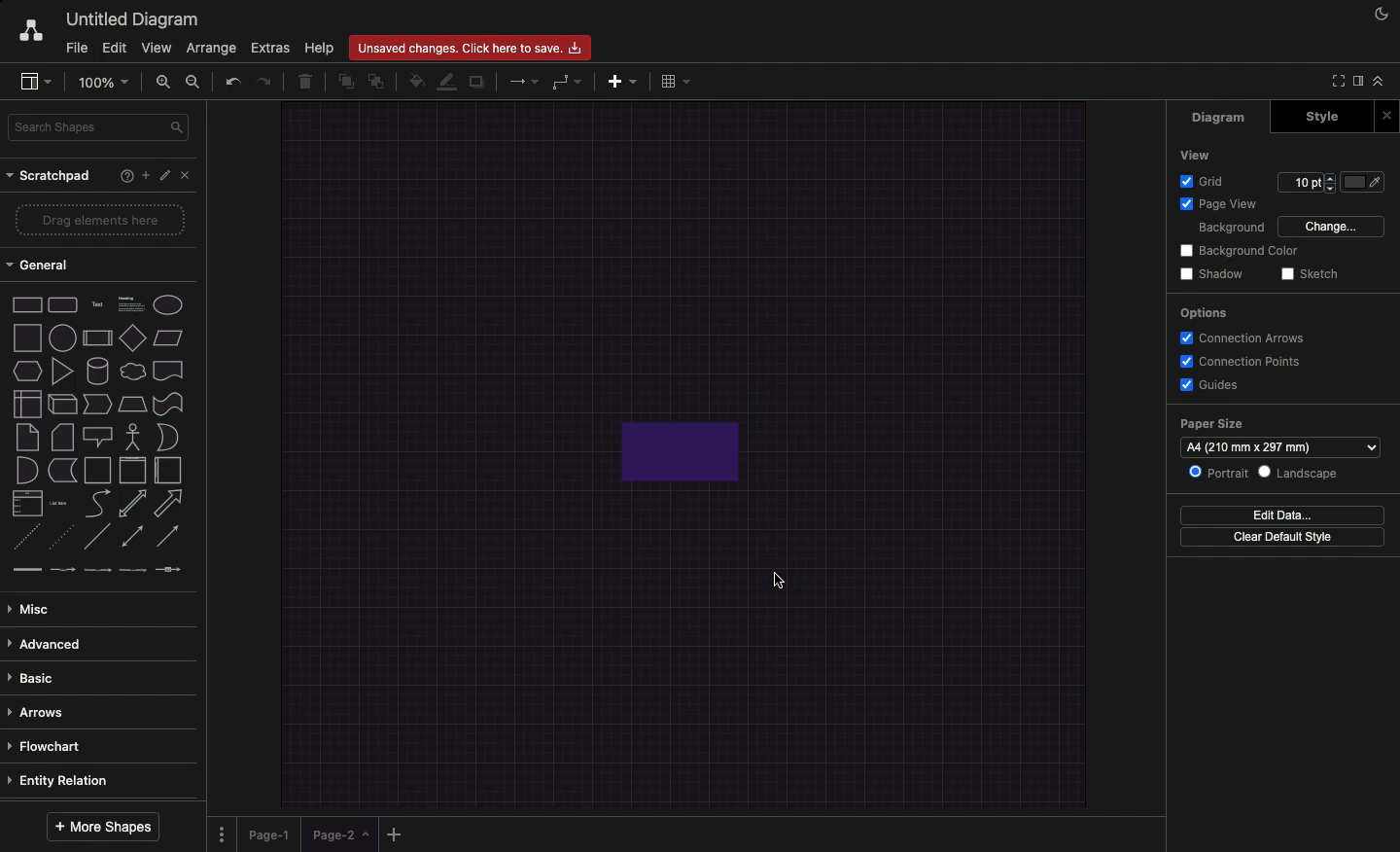  I want to click on Arrows, so click(41, 710).